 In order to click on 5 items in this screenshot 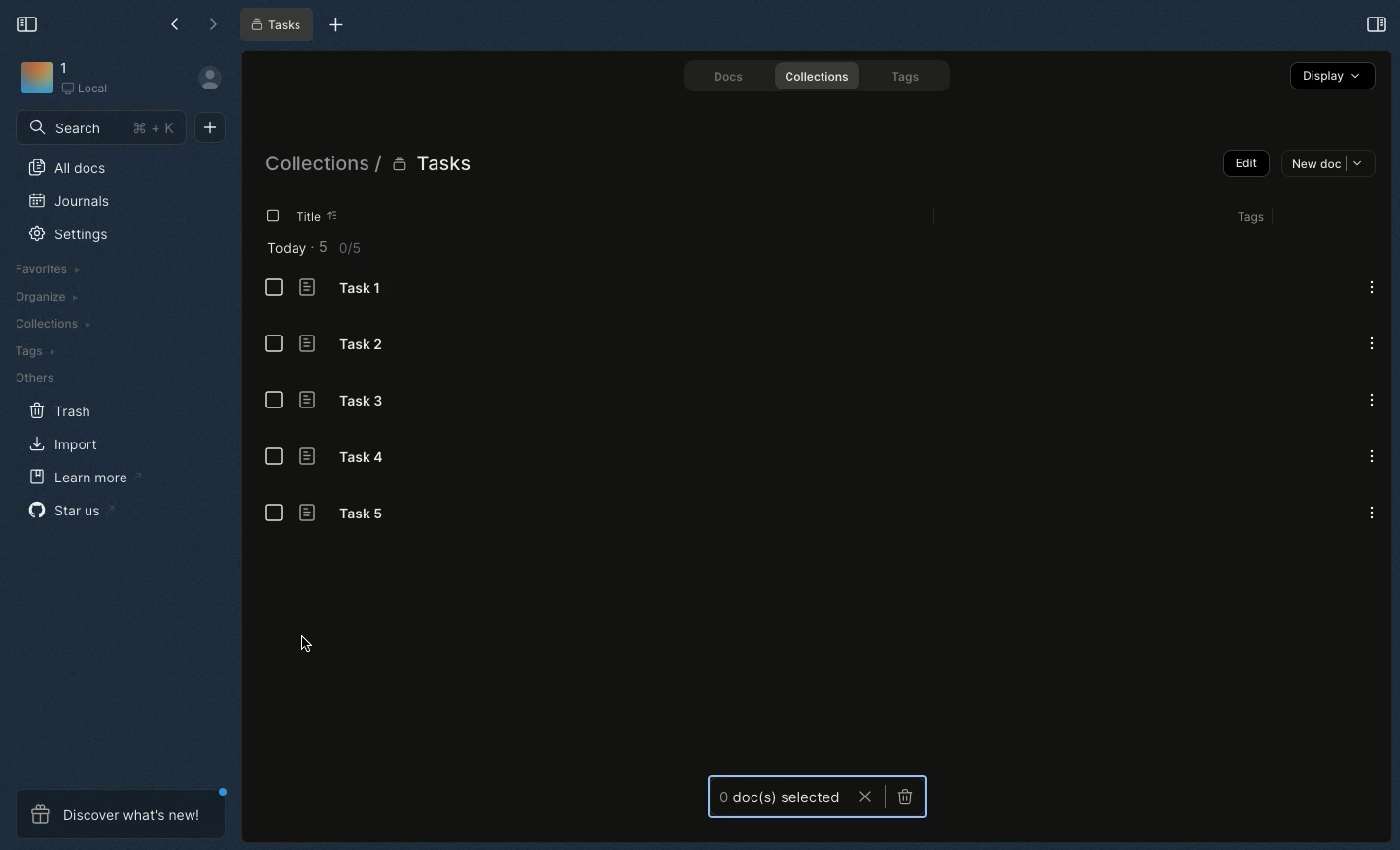, I will do `click(344, 249)`.